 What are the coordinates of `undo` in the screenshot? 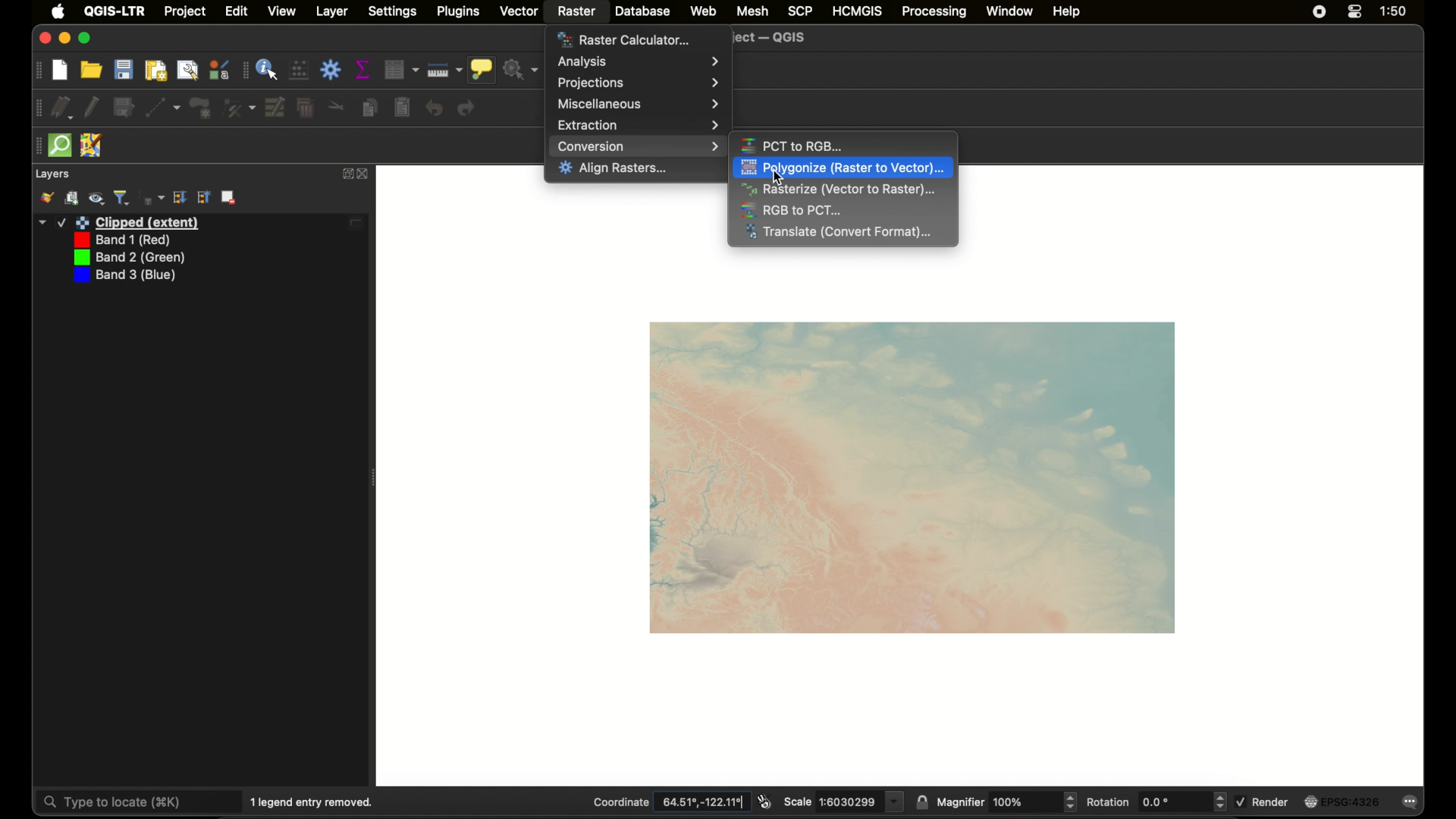 It's located at (434, 108).